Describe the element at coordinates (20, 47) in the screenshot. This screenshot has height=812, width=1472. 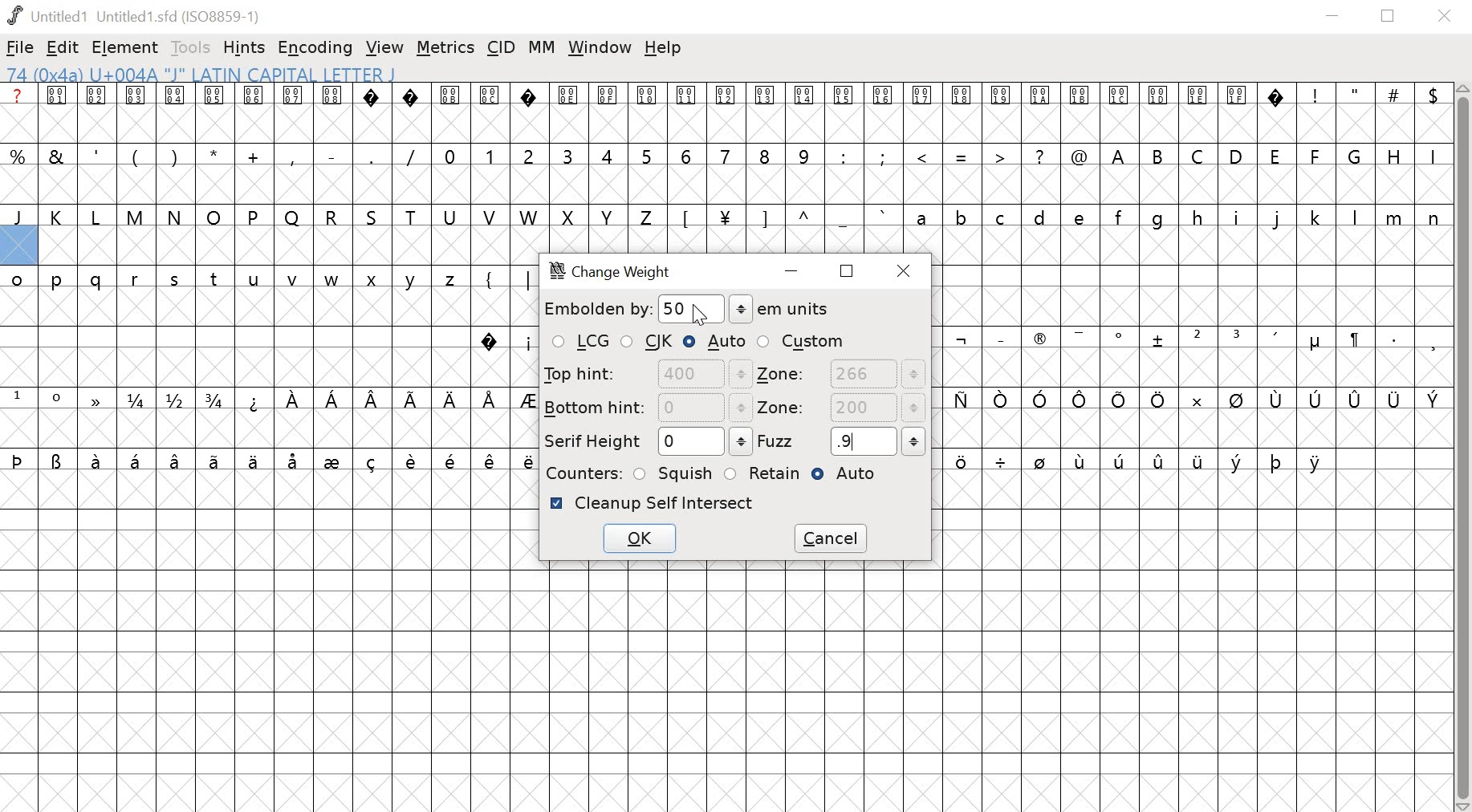
I see `FILE` at that location.